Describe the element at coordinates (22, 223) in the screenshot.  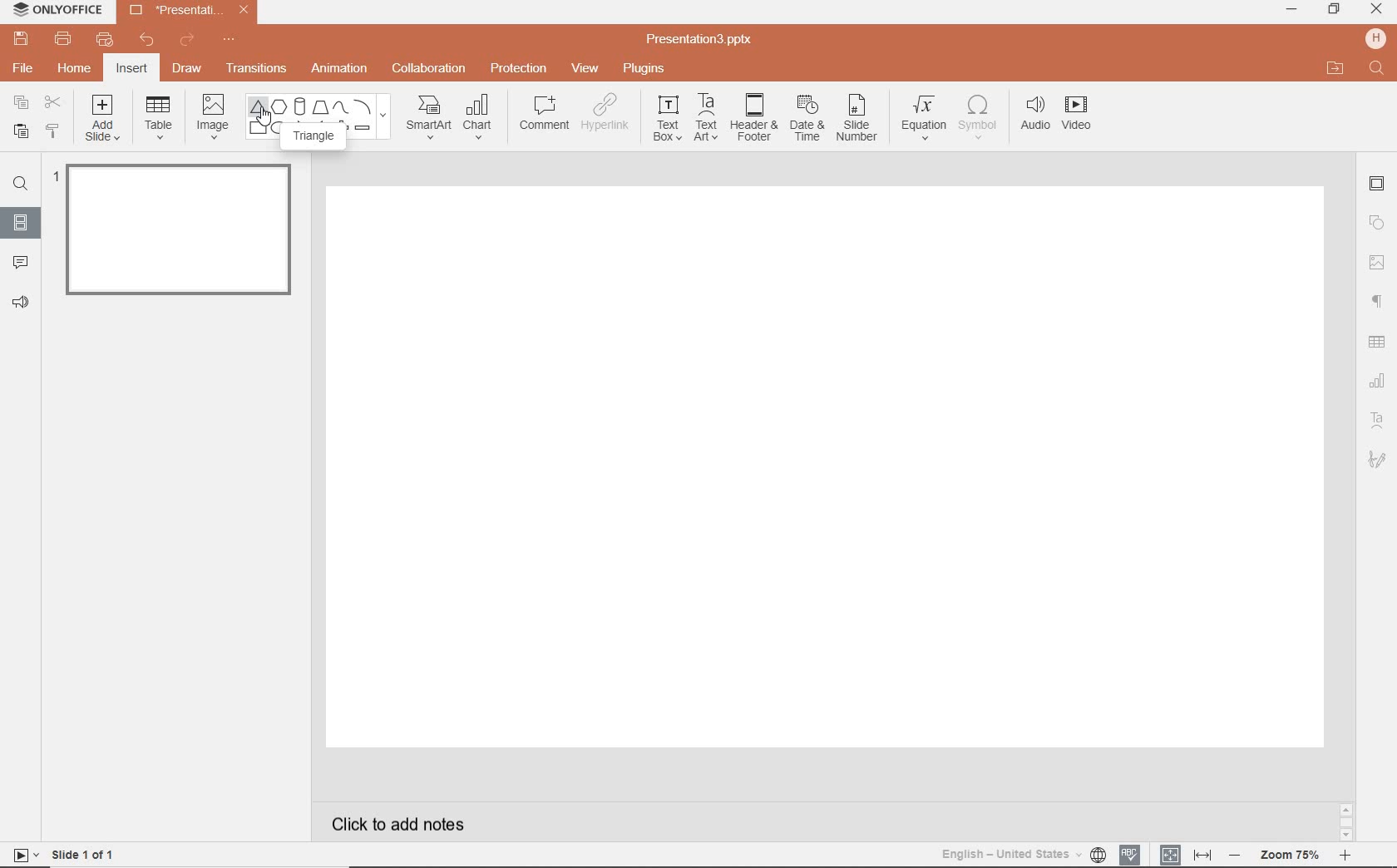
I see `SLIDES` at that location.